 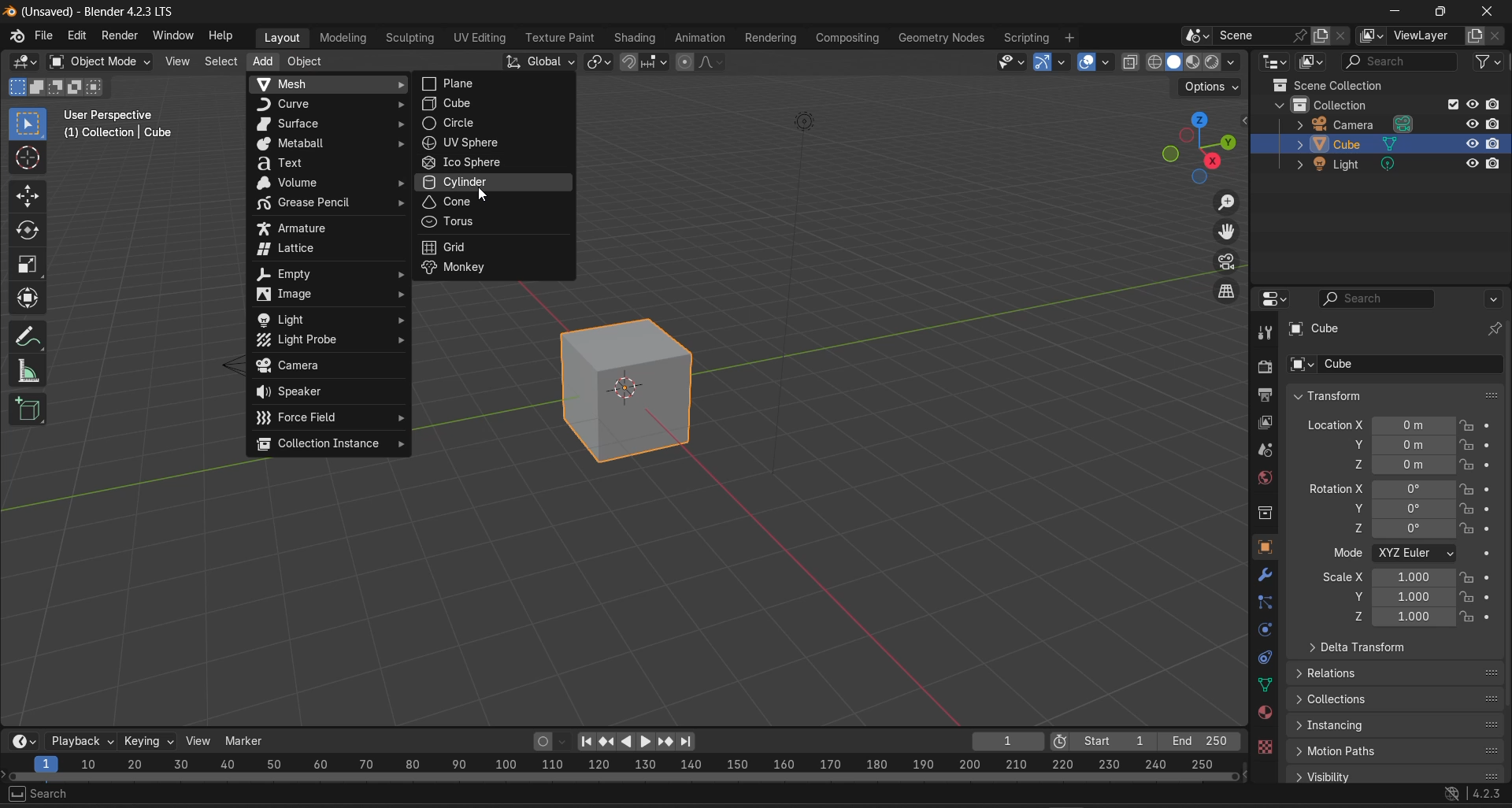 I want to click on viewport shading:solid, so click(x=1171, y=61).